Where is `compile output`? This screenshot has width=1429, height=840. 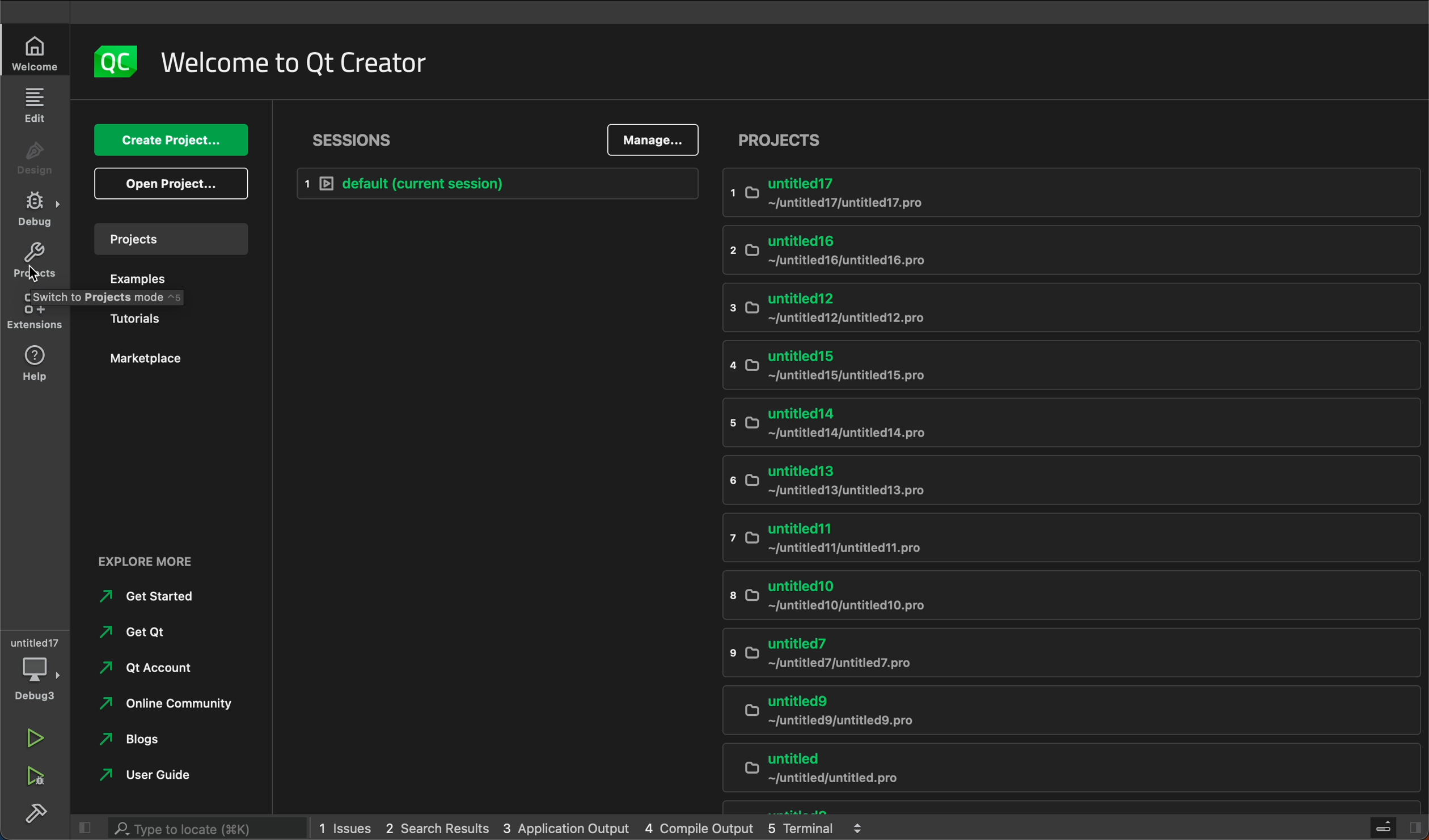
compile output is located at coordinates (699, 829).